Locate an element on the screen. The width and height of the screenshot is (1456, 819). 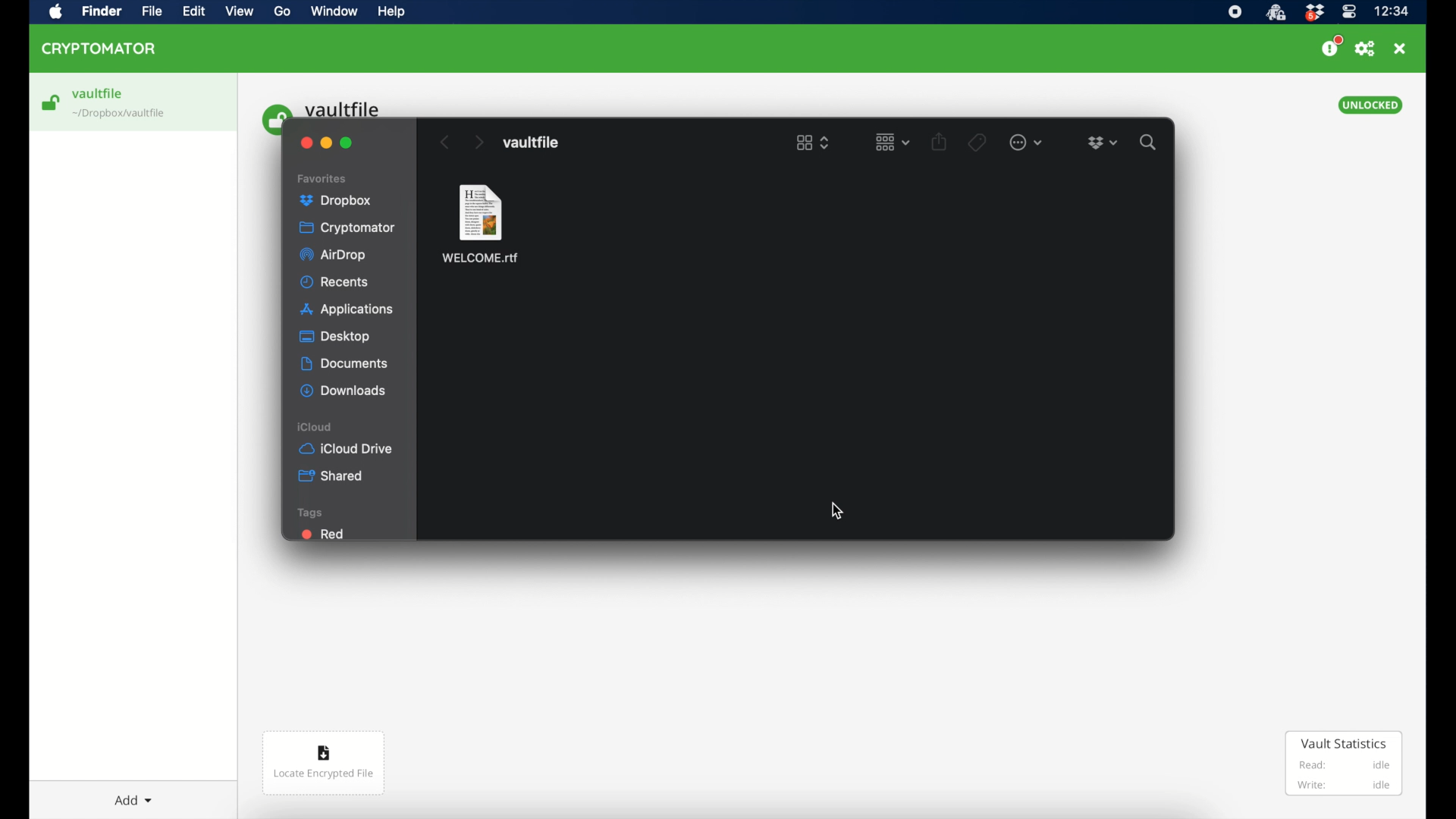
donate us is located at coordinates (1332, 46).